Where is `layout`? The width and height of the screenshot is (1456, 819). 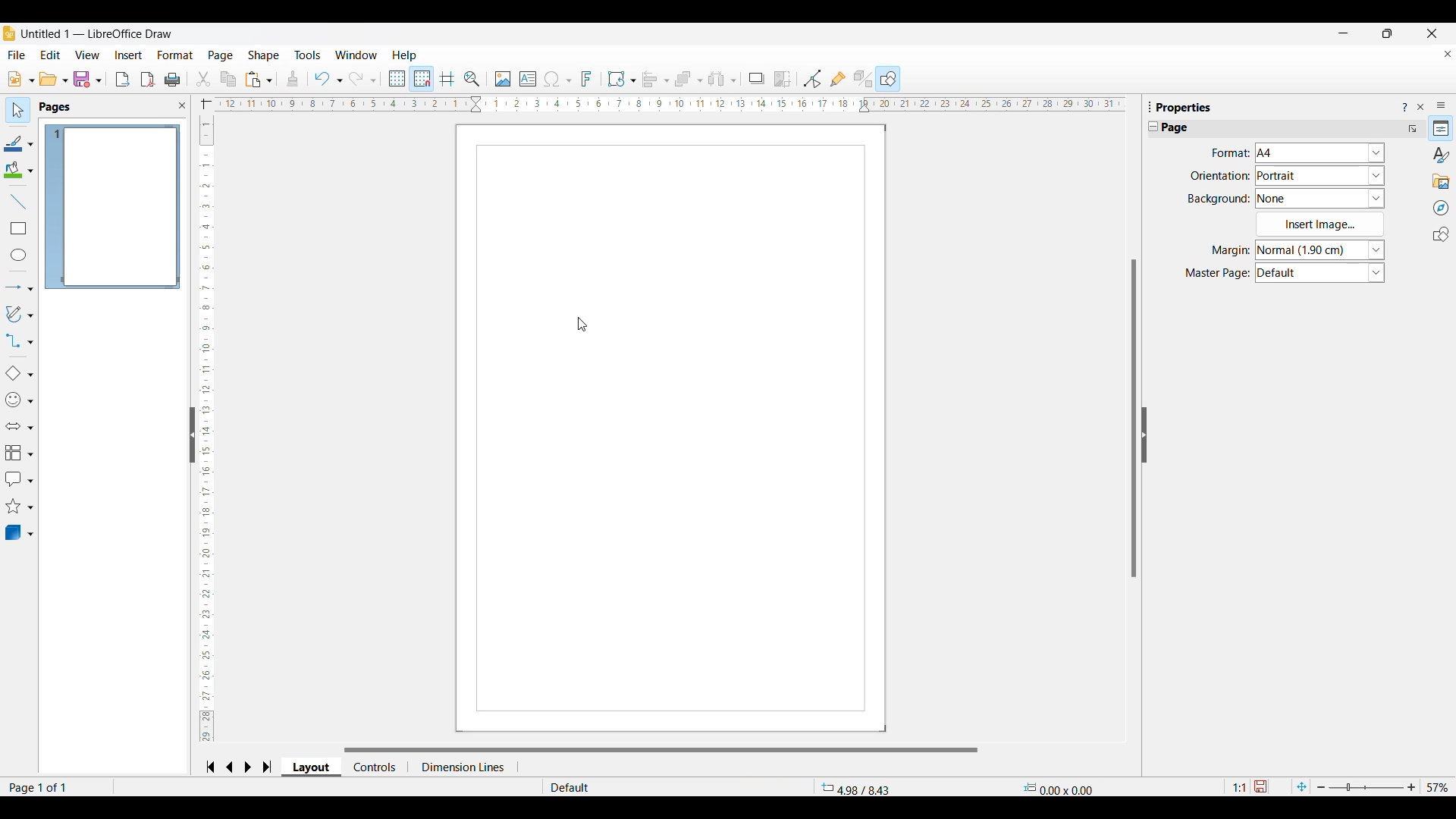 layout is located at coordinates (316, 767).